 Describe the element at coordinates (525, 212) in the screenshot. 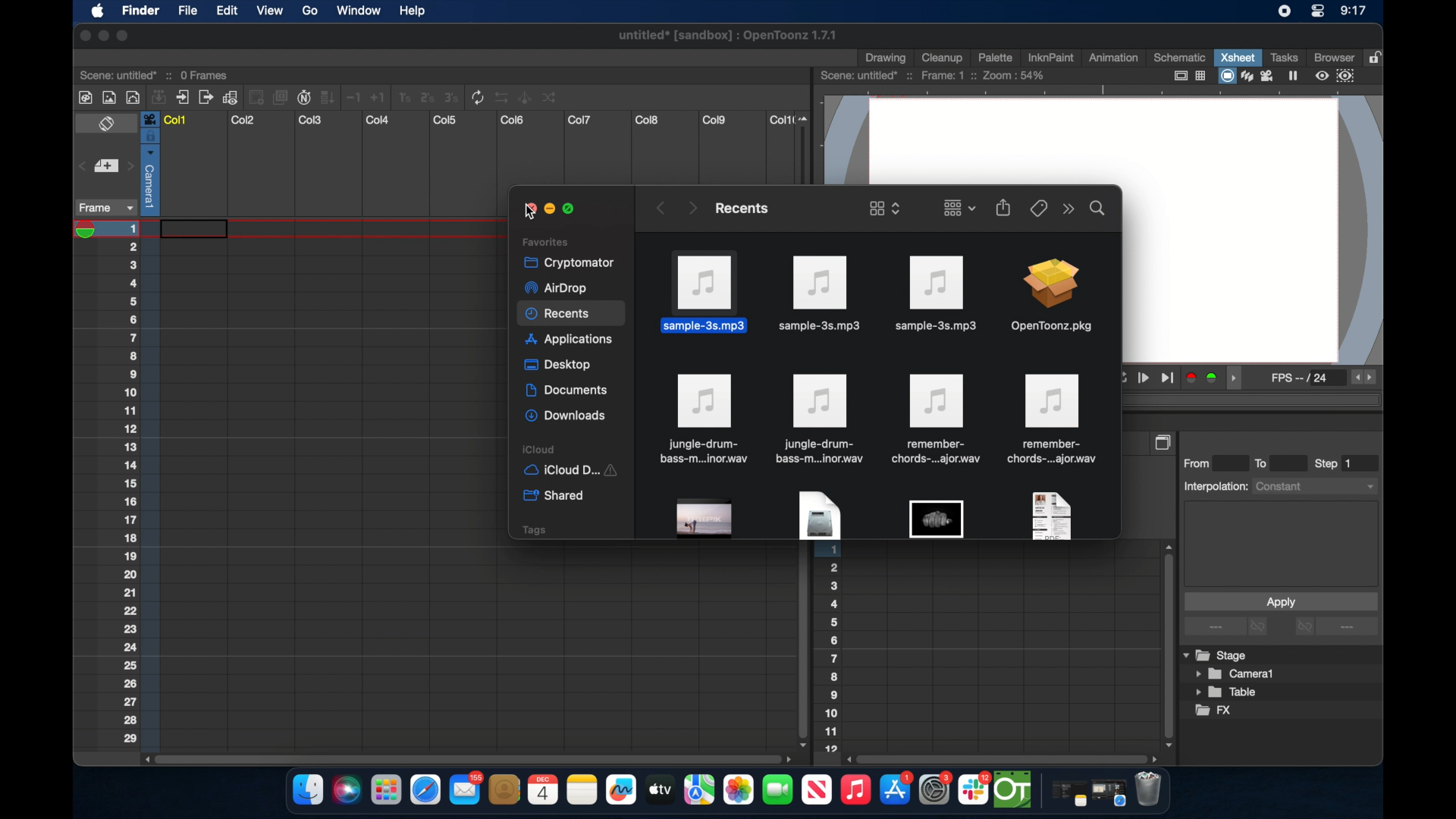

I see `cursor` at that location.